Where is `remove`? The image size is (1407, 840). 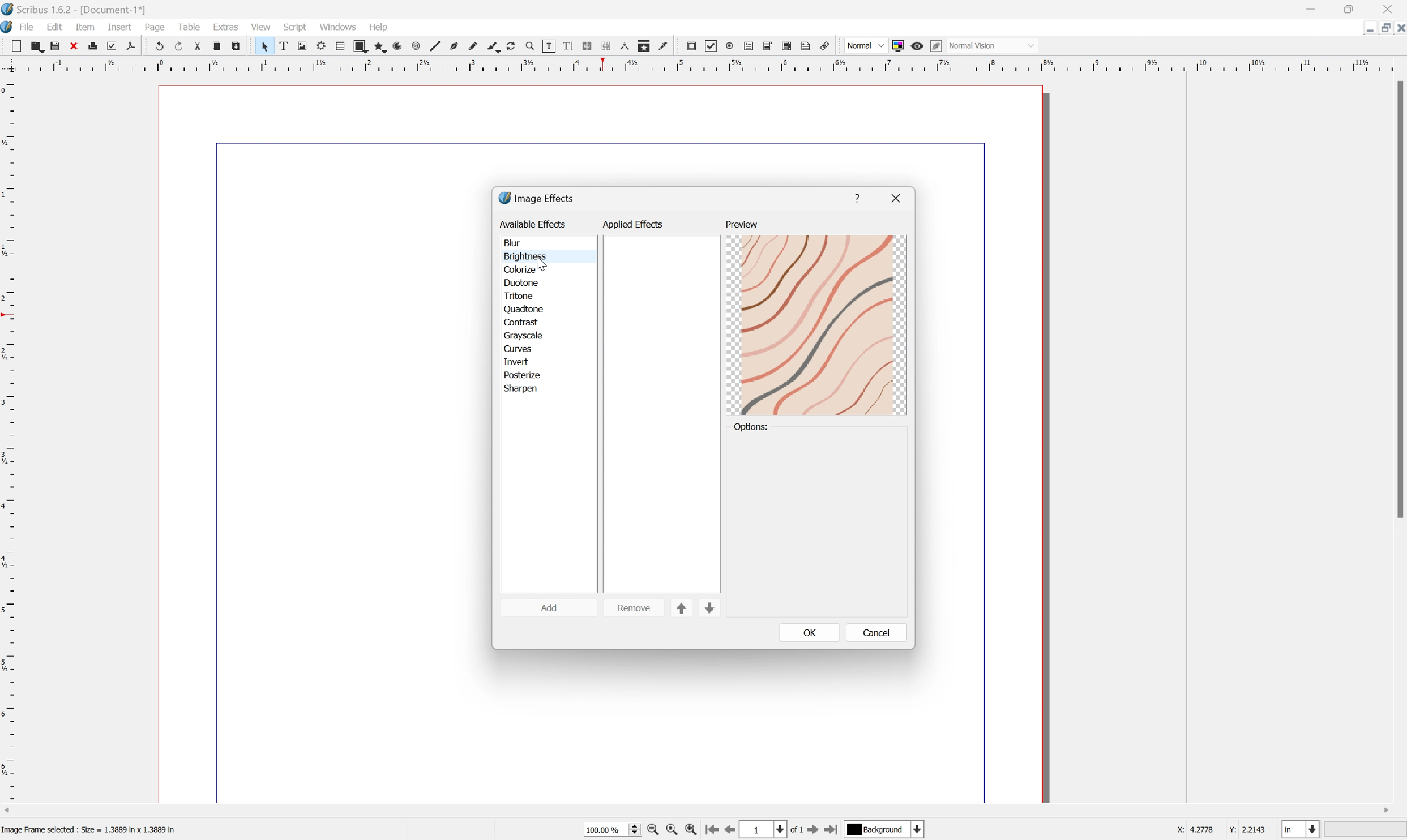
remove is located at coordinates (635, 607).